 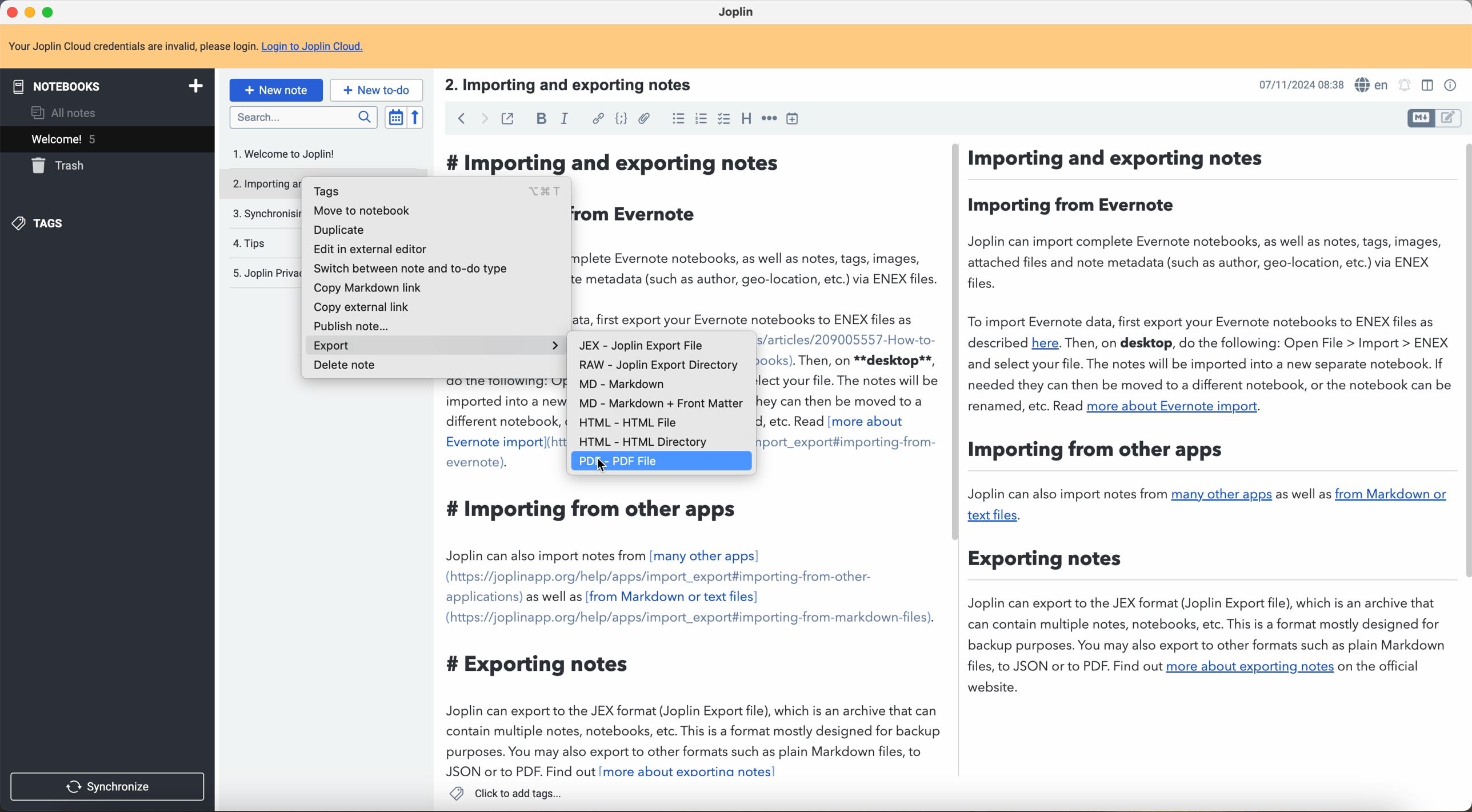 What do you see at coordinates (196, 47) in the screenshot?
I see `Your Joplin Cloud credentials are invalid, please login. Login to Joplin Cloud` at bounding box center [196, 47].